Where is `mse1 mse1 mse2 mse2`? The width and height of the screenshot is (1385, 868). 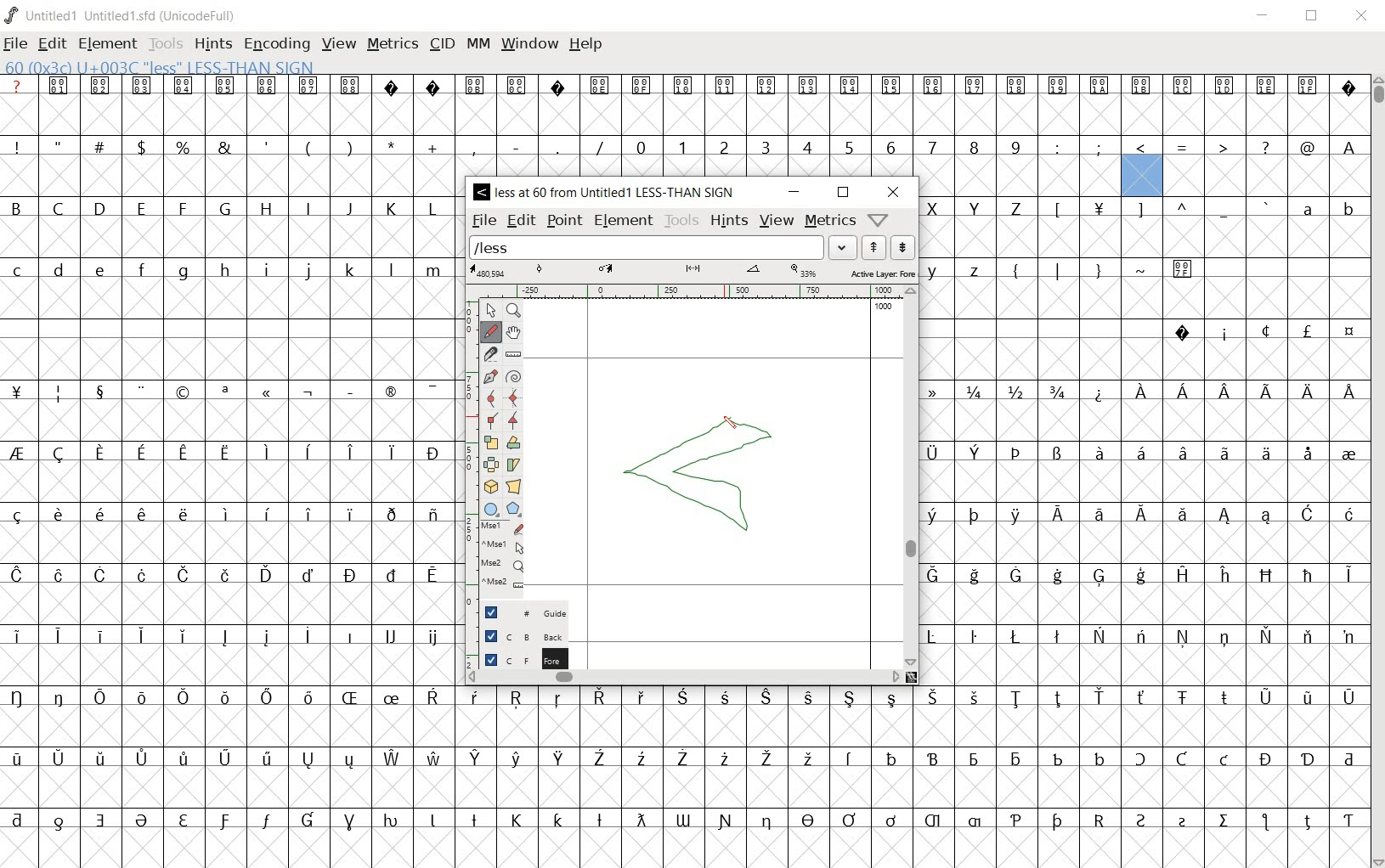 mse1 mse1 mse2 mse2 is located at coordinates (506, 555).